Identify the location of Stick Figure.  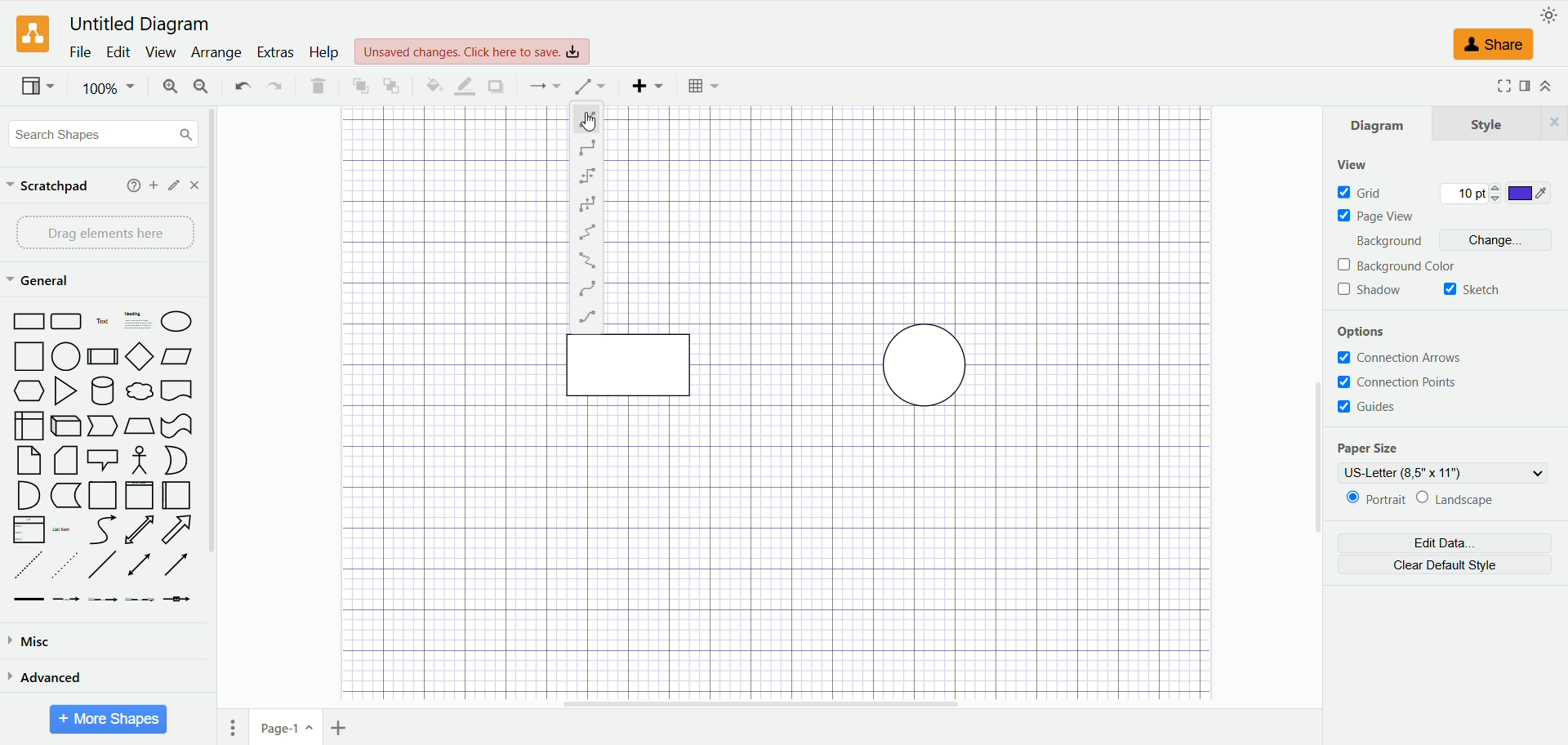
(142, 460).